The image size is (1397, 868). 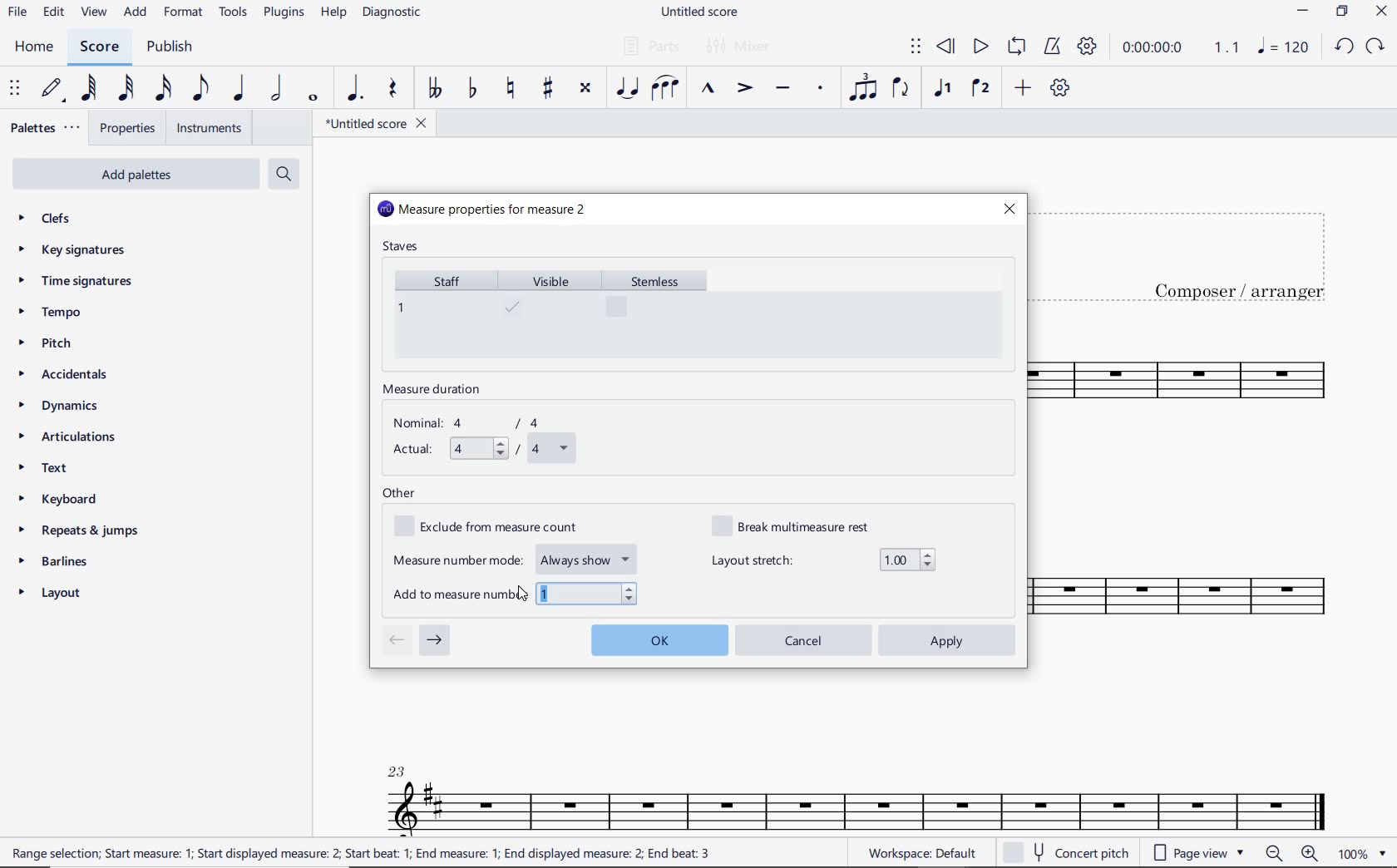 I want to click on REWIND, so click(x=946, y=47).